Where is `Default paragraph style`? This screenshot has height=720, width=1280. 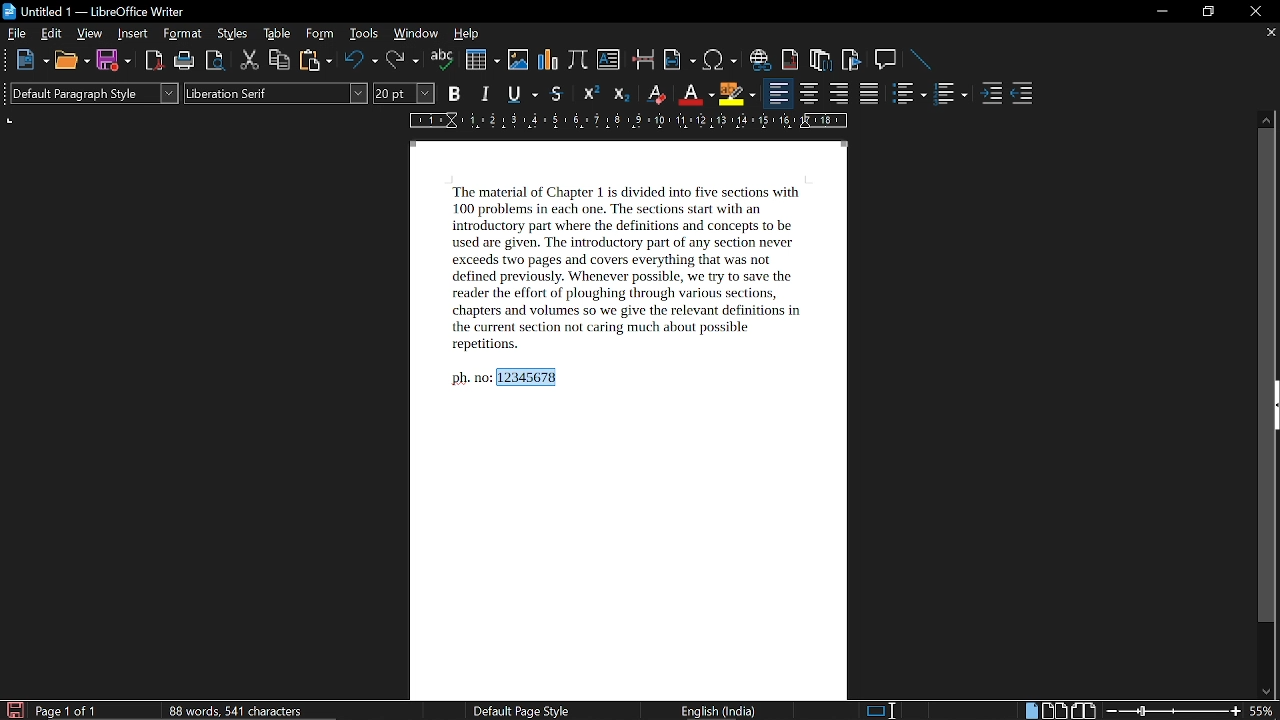 Default paragraph style is located at coordinates (94, 93).